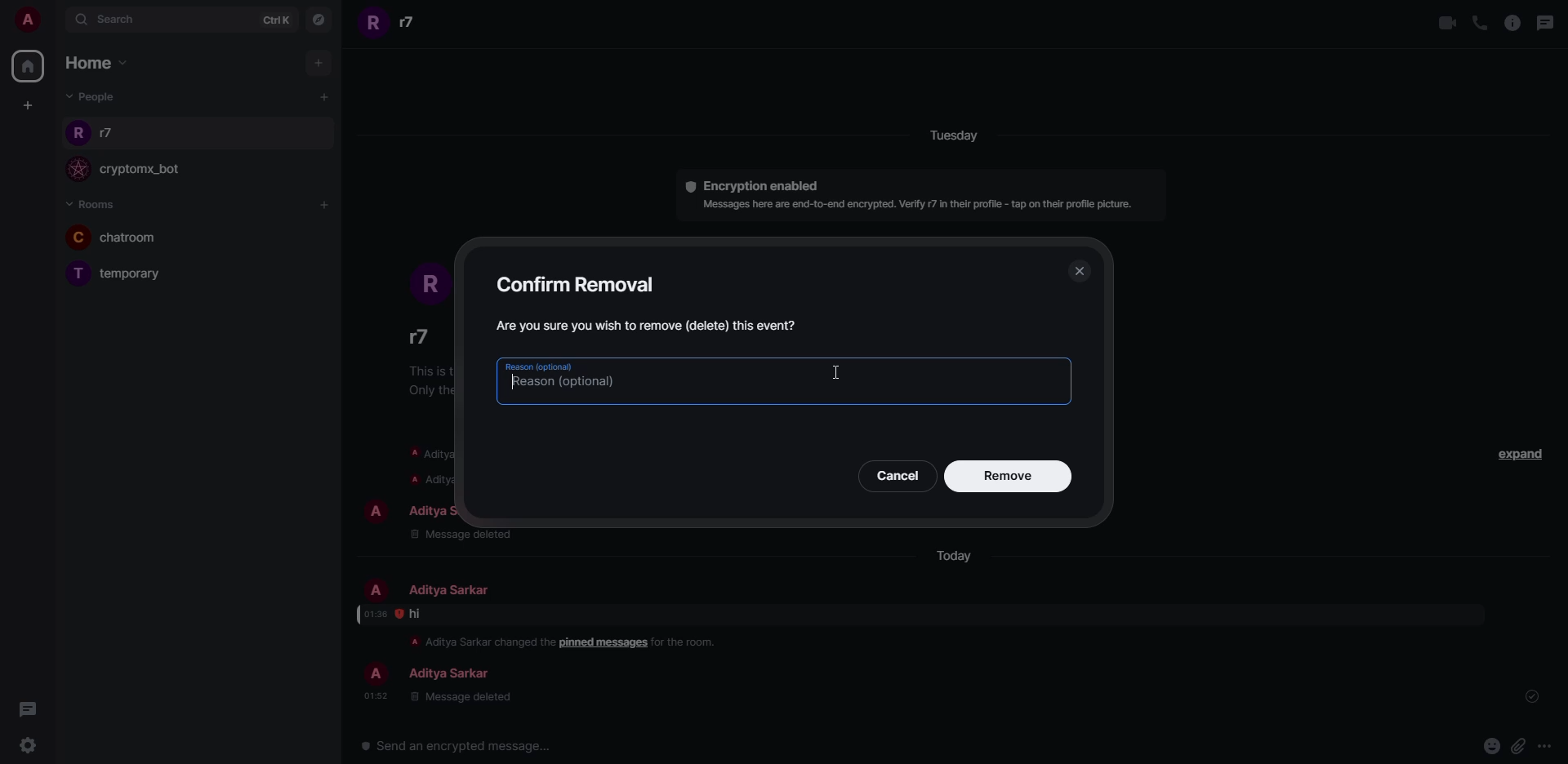 The image size is (1568, 764). I want to click on search, so click(114, 19).